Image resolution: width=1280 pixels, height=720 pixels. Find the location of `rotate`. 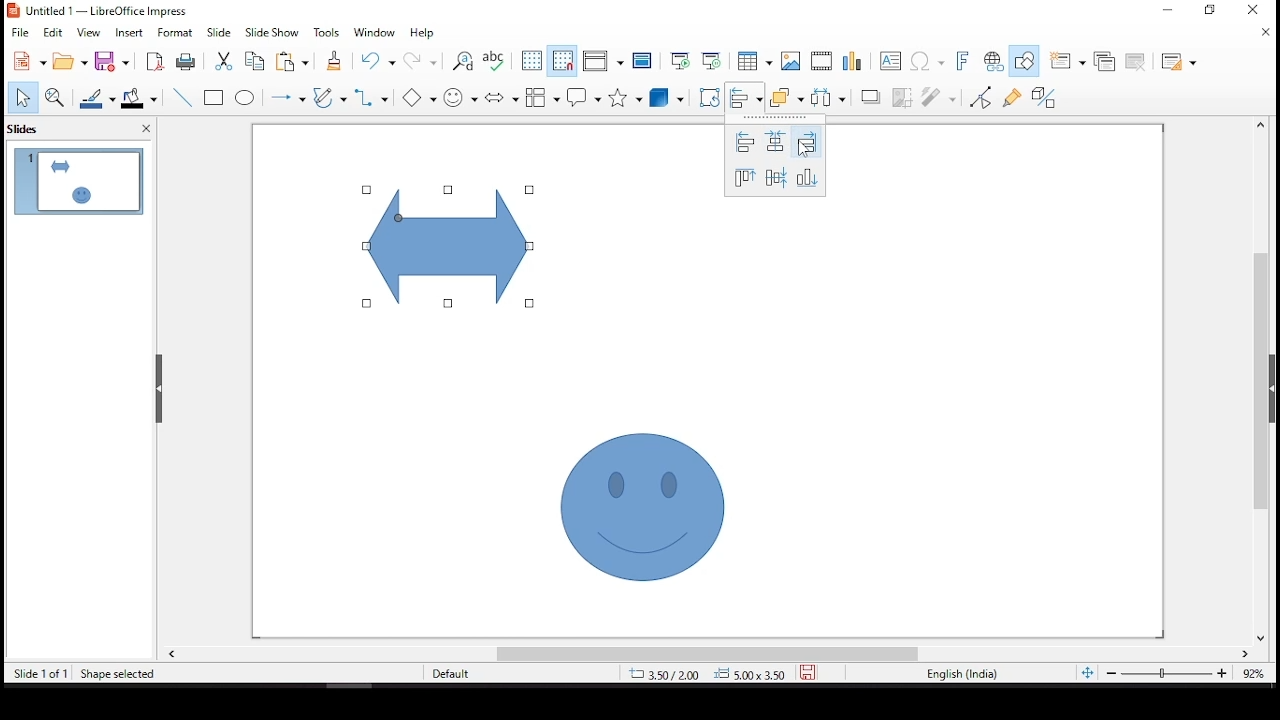

rotate is located at coordinates (711, 97).